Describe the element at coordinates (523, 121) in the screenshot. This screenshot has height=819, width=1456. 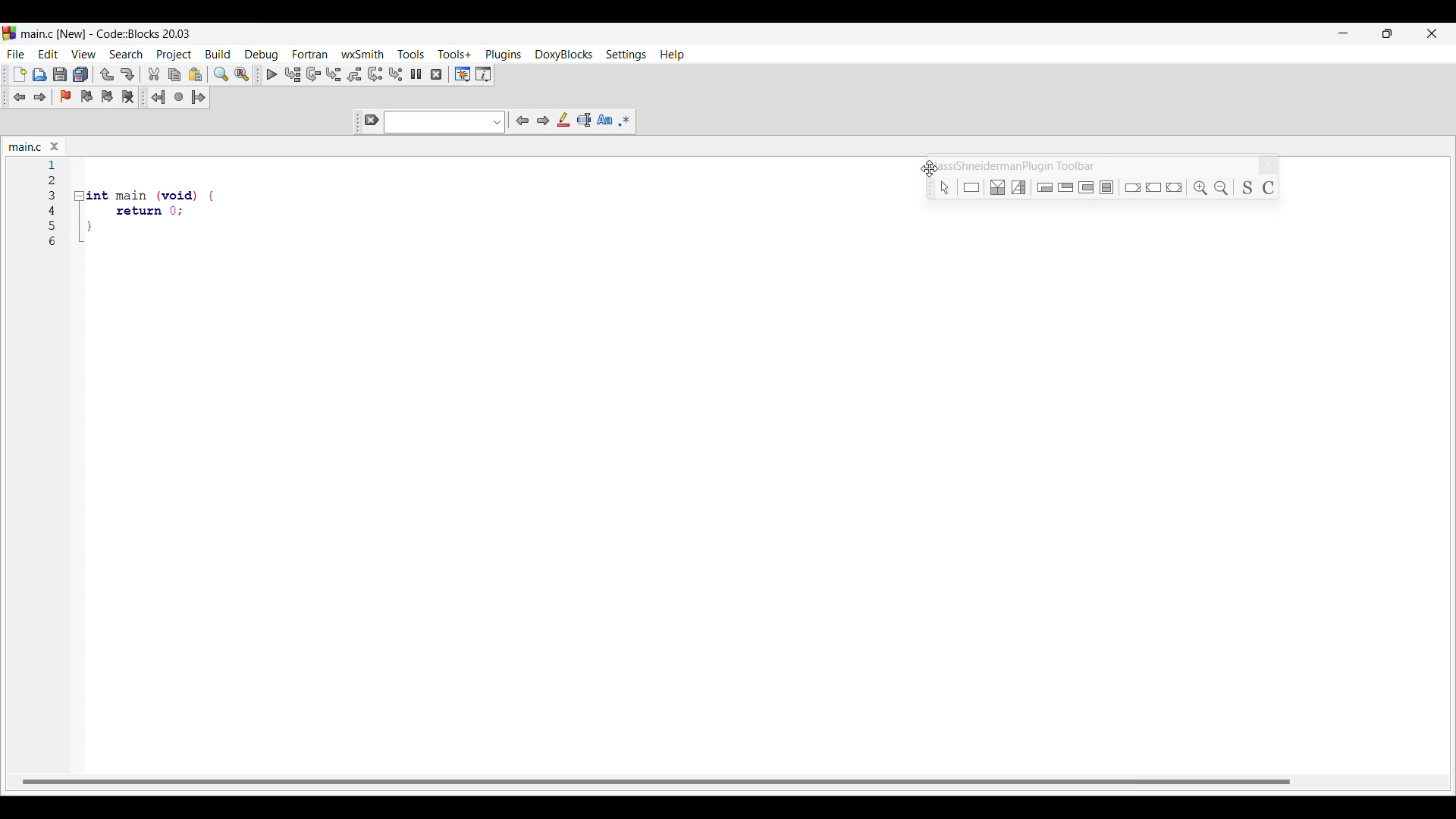
I see `Previous` at that location.